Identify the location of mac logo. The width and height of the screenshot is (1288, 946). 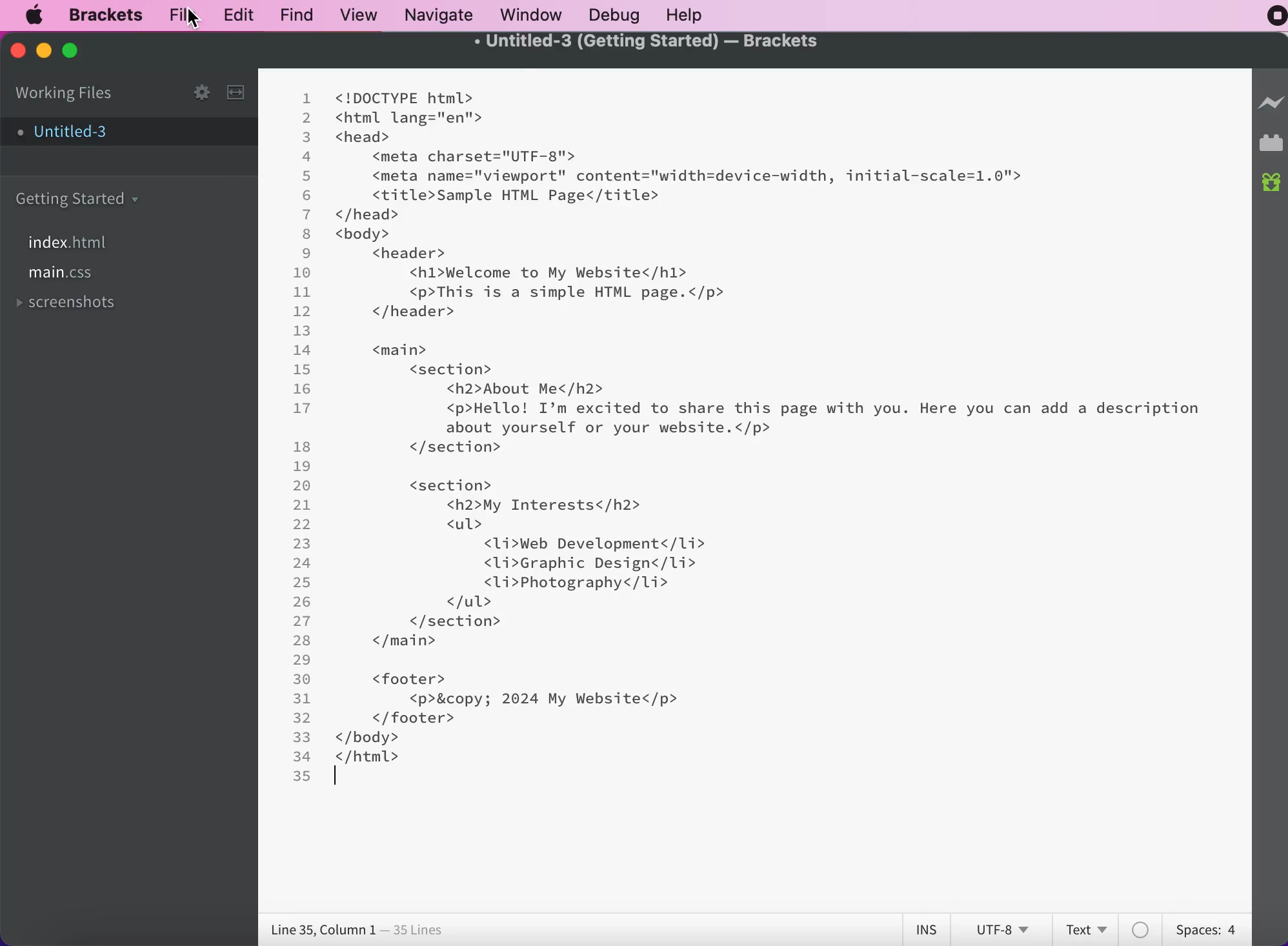
(37, 16).